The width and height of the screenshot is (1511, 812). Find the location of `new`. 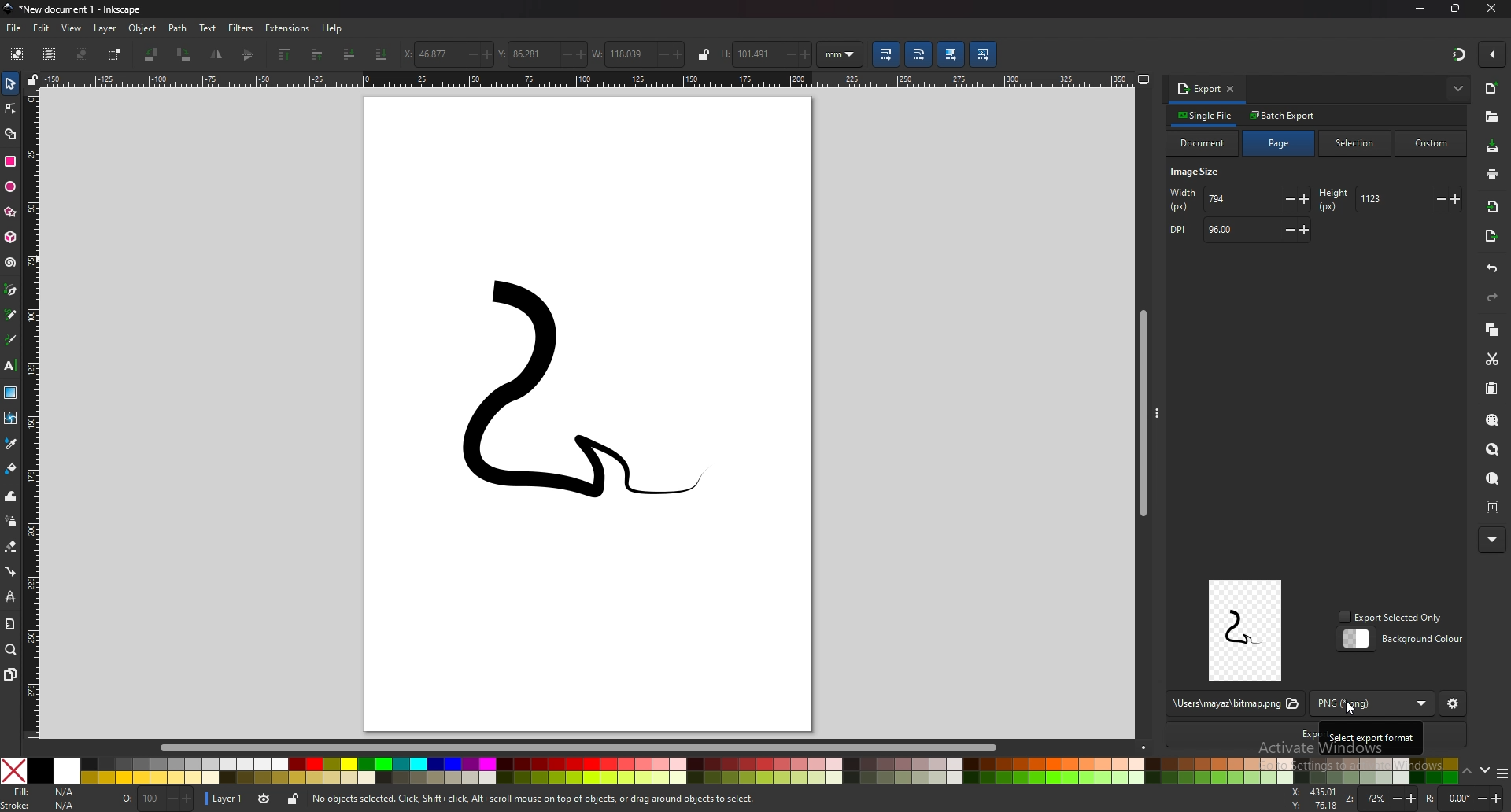

new is located at coordinates (1492, 88).